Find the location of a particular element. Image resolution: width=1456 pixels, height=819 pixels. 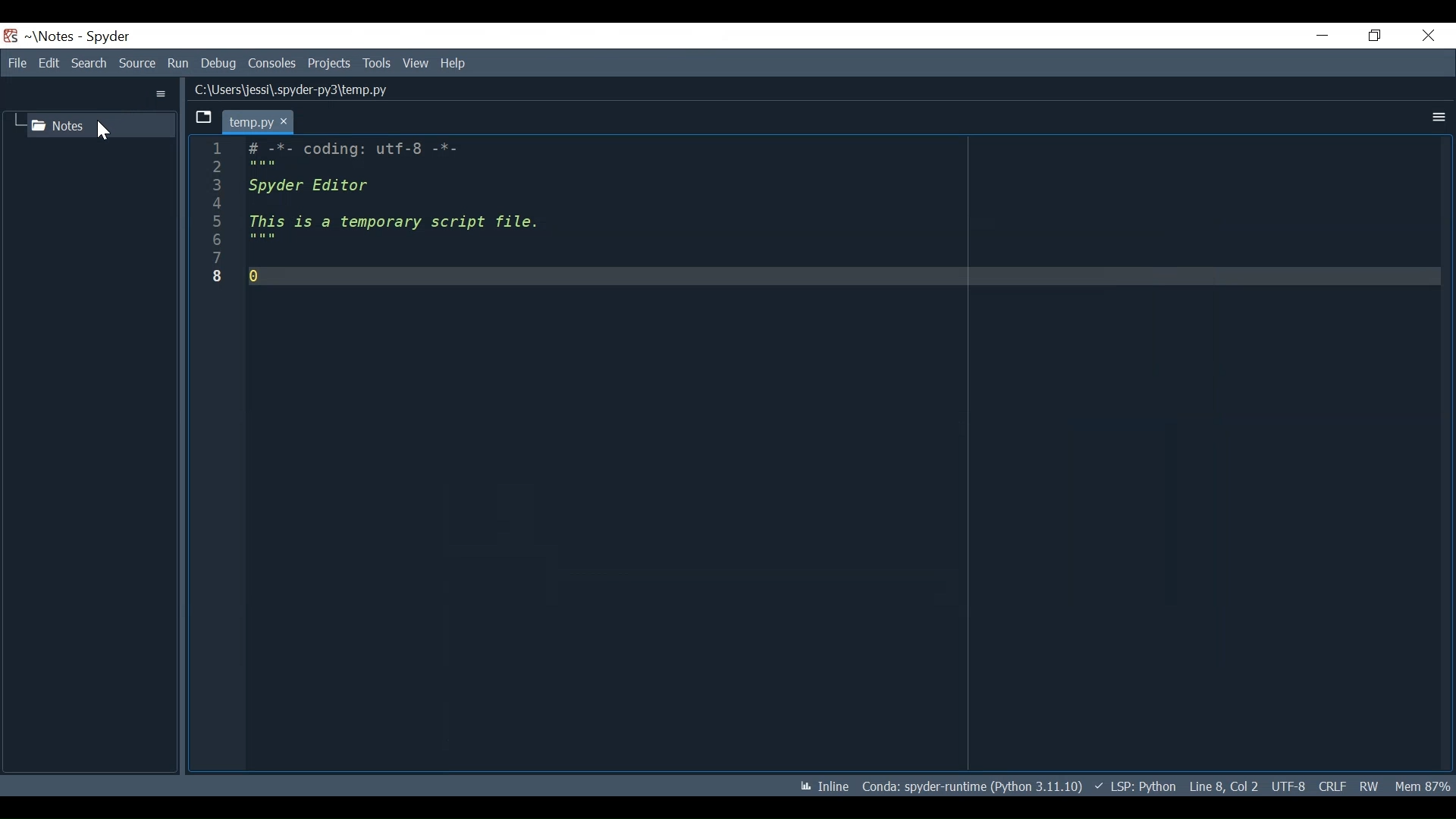

Close is located at coordinates (1426, 36).